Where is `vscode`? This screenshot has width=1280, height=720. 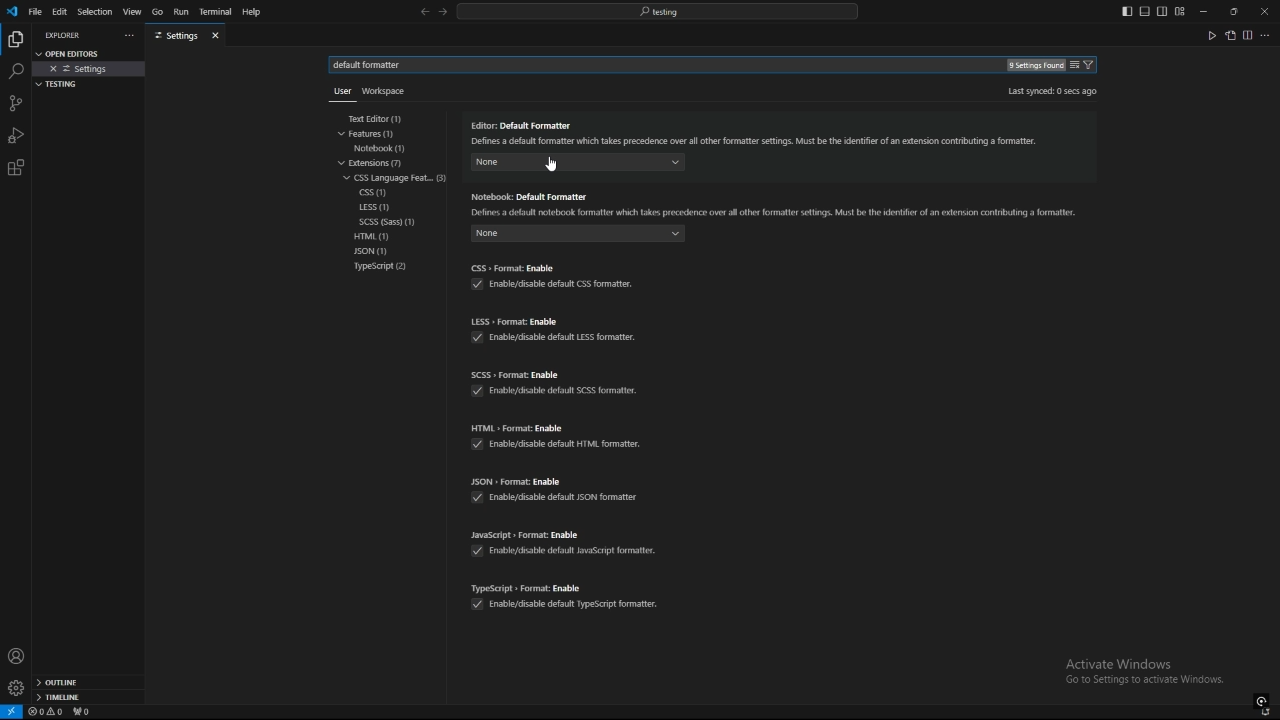 vscode is located at coordinates (11, 12).